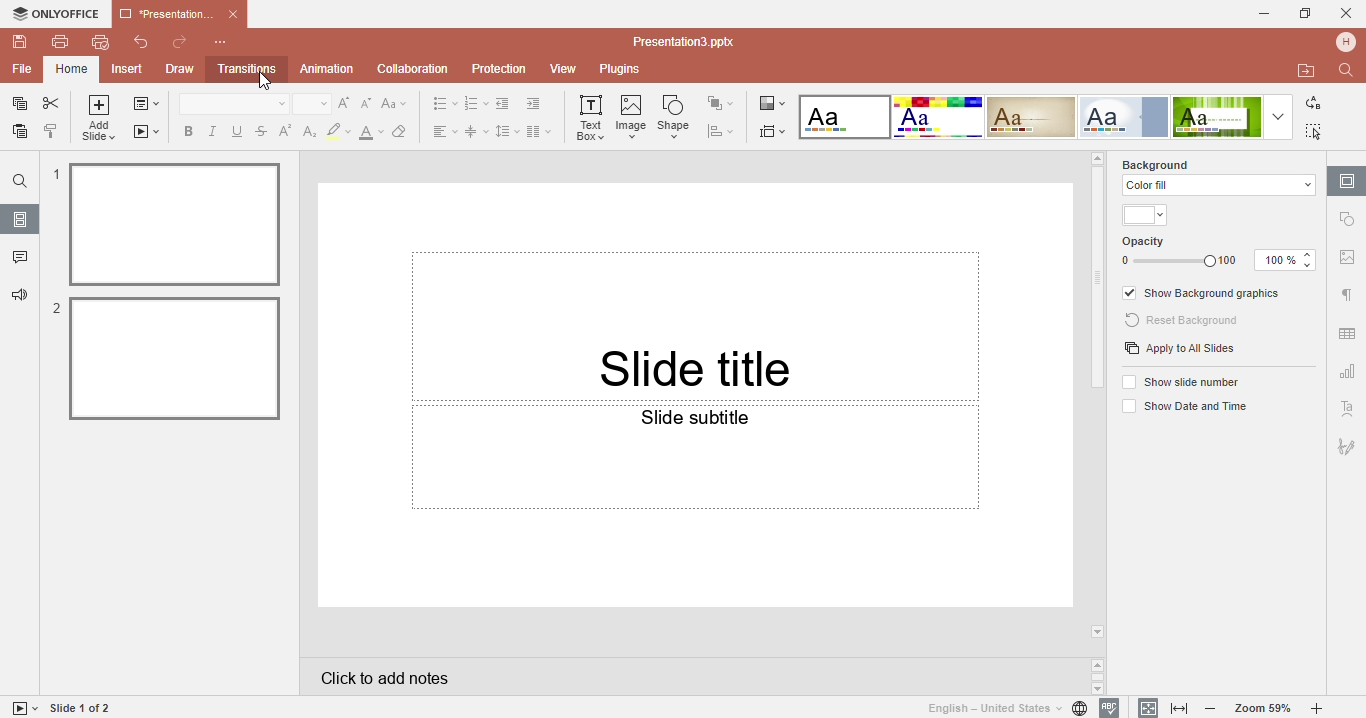 Image resolution: width=1366 pixels, height=718 pixels. I want to click on Cut, so click(52, 104).